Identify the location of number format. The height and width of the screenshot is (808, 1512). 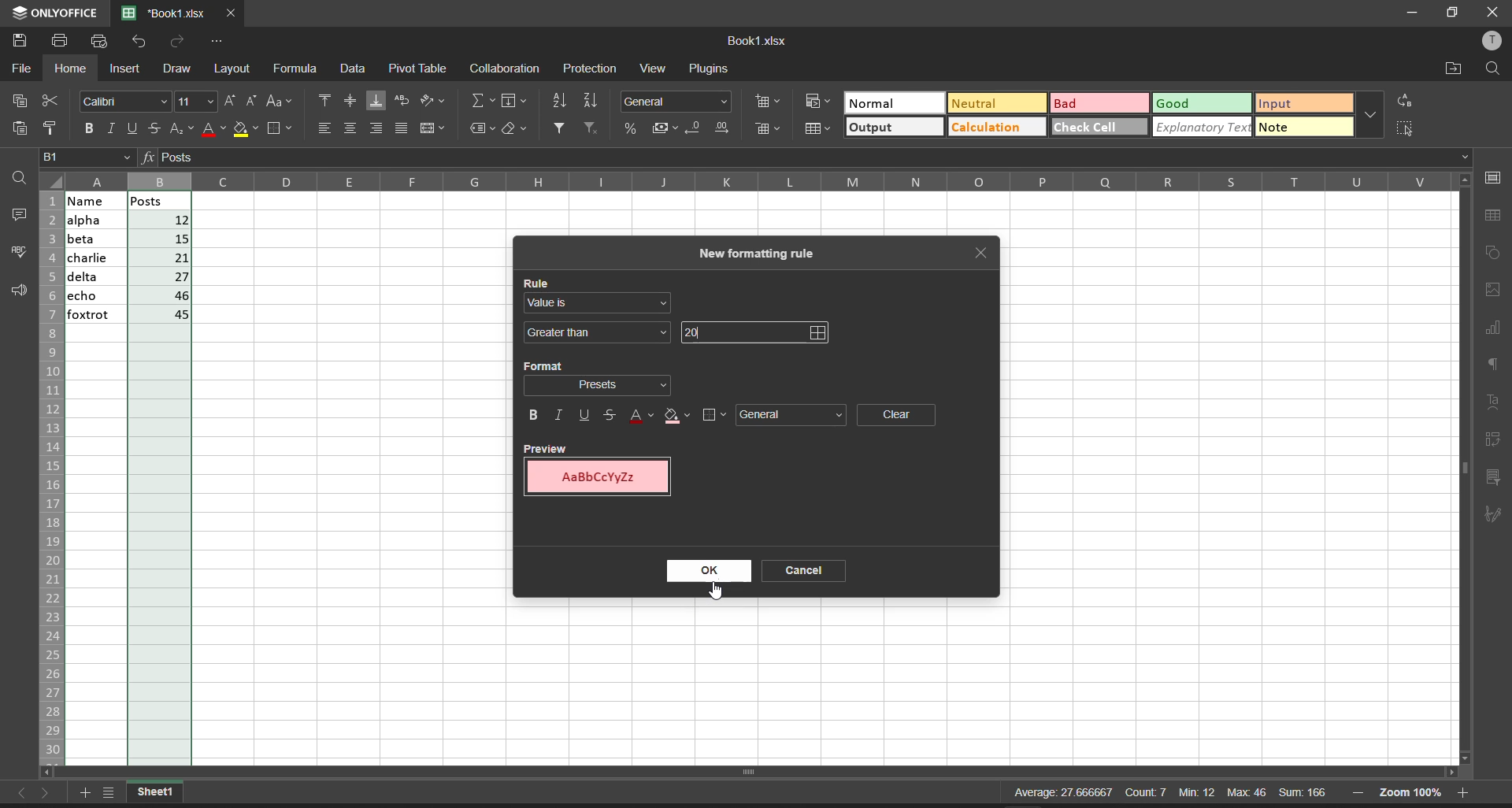
(677, 101).